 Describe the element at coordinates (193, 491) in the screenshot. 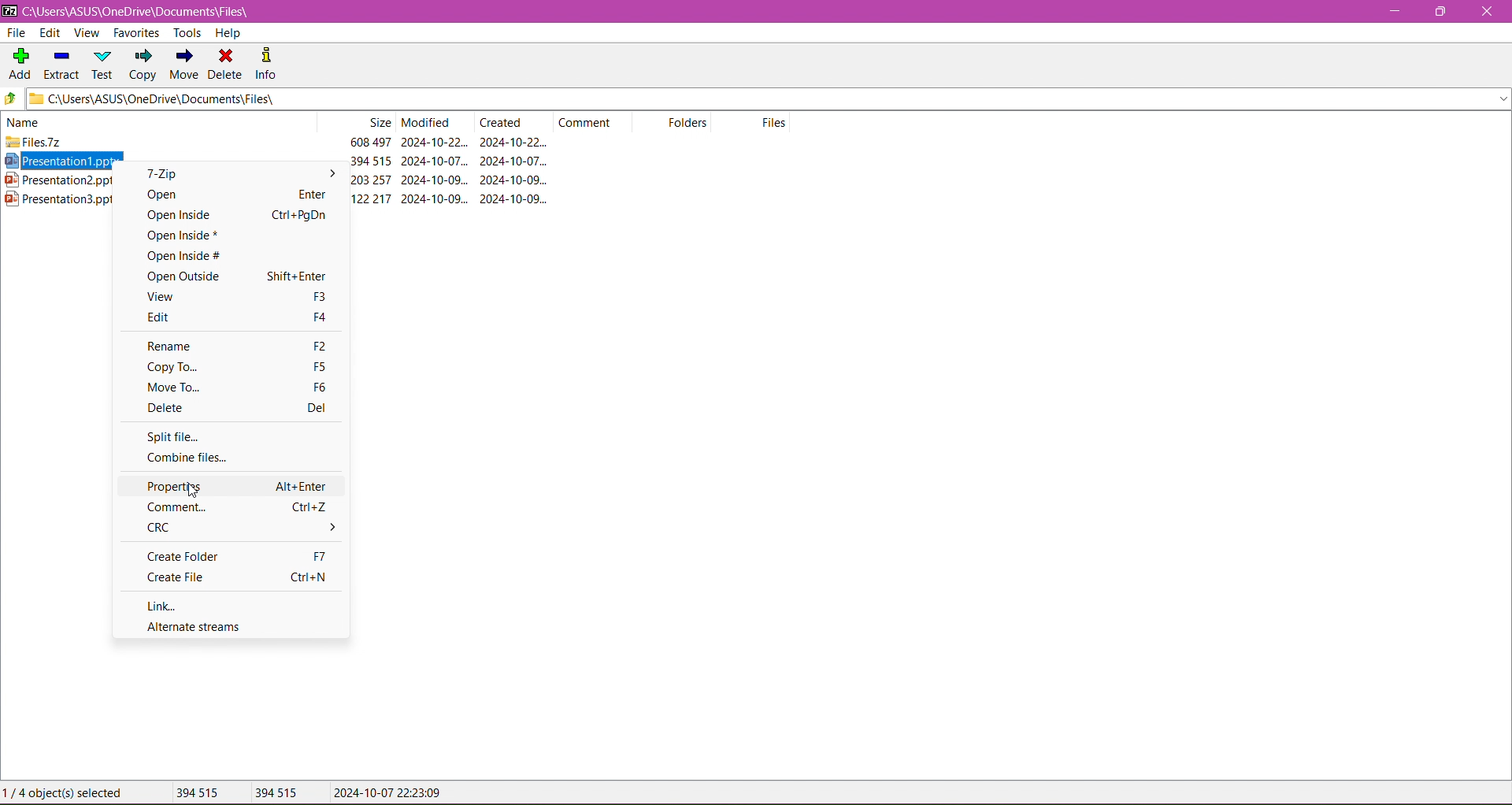

I see `cursor` at that location.